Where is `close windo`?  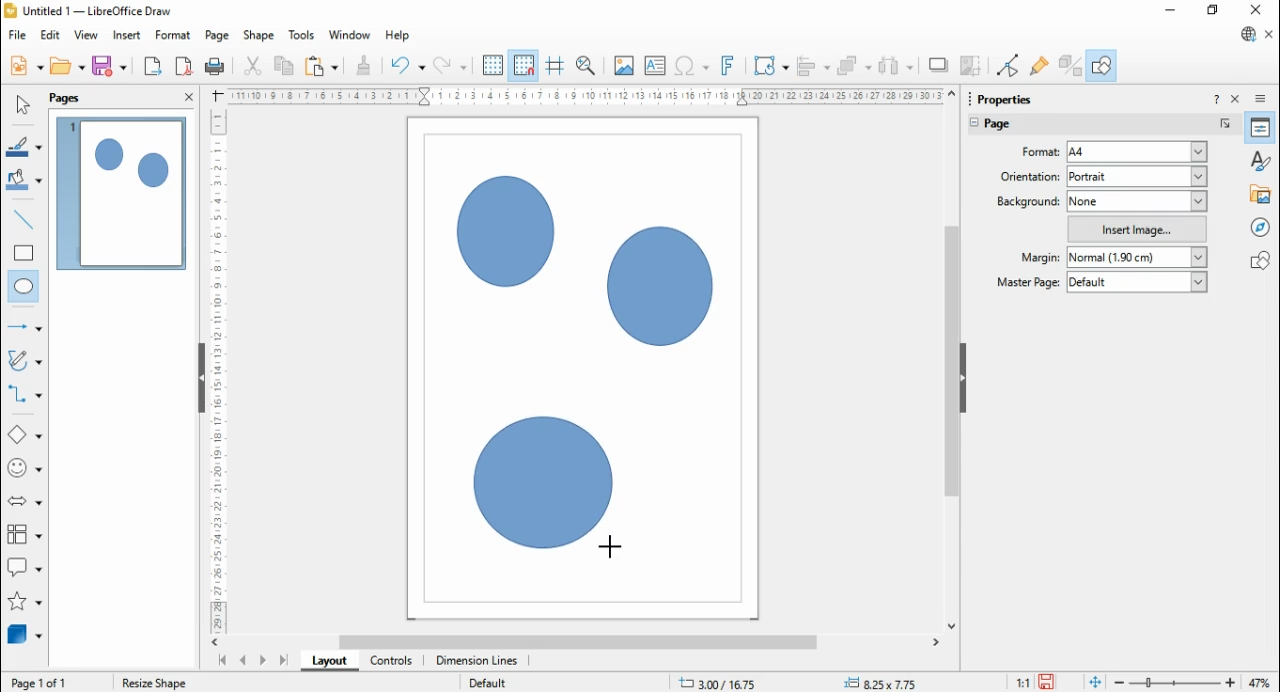 close windo is located at coordinates (1259, 11).